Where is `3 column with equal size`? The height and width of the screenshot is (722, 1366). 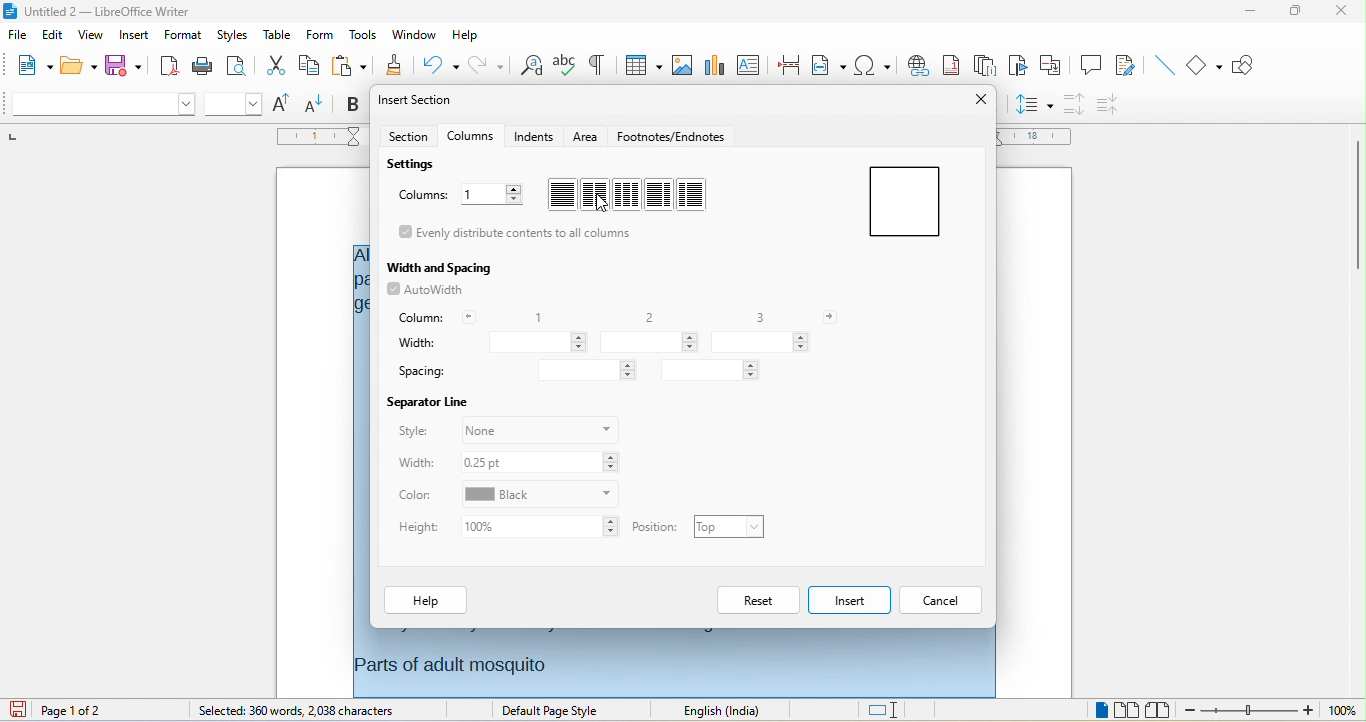
3 column with equal size is located at coordinates (627, 194).